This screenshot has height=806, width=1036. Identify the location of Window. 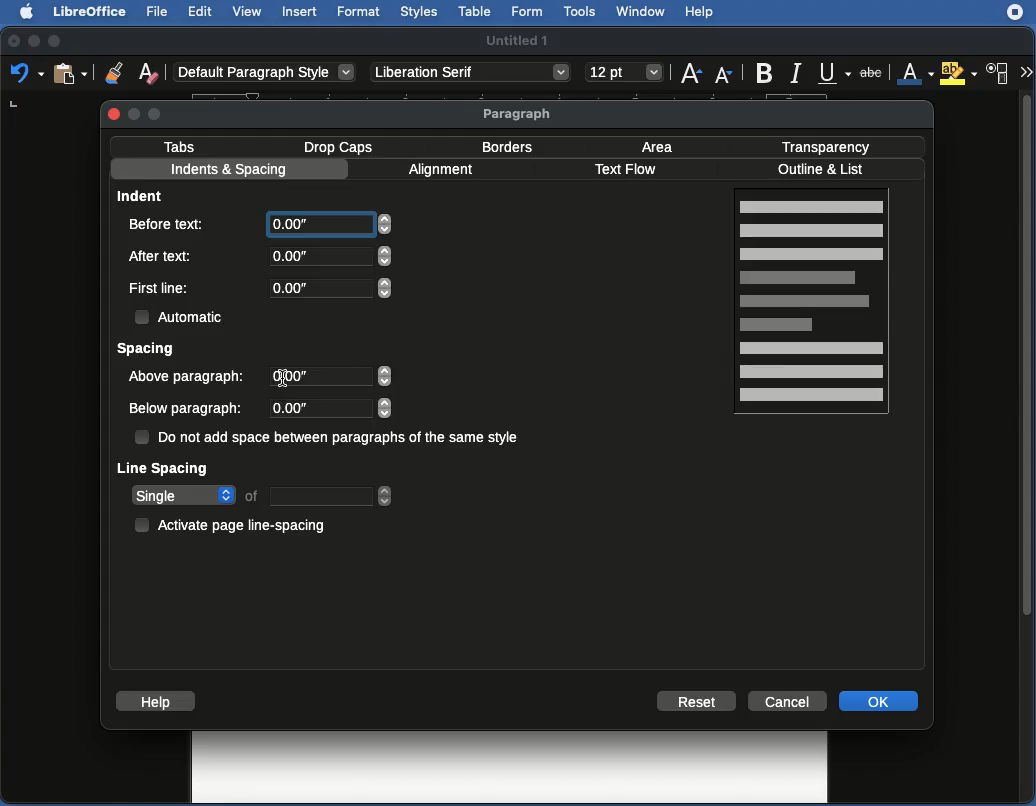
(640, 12).